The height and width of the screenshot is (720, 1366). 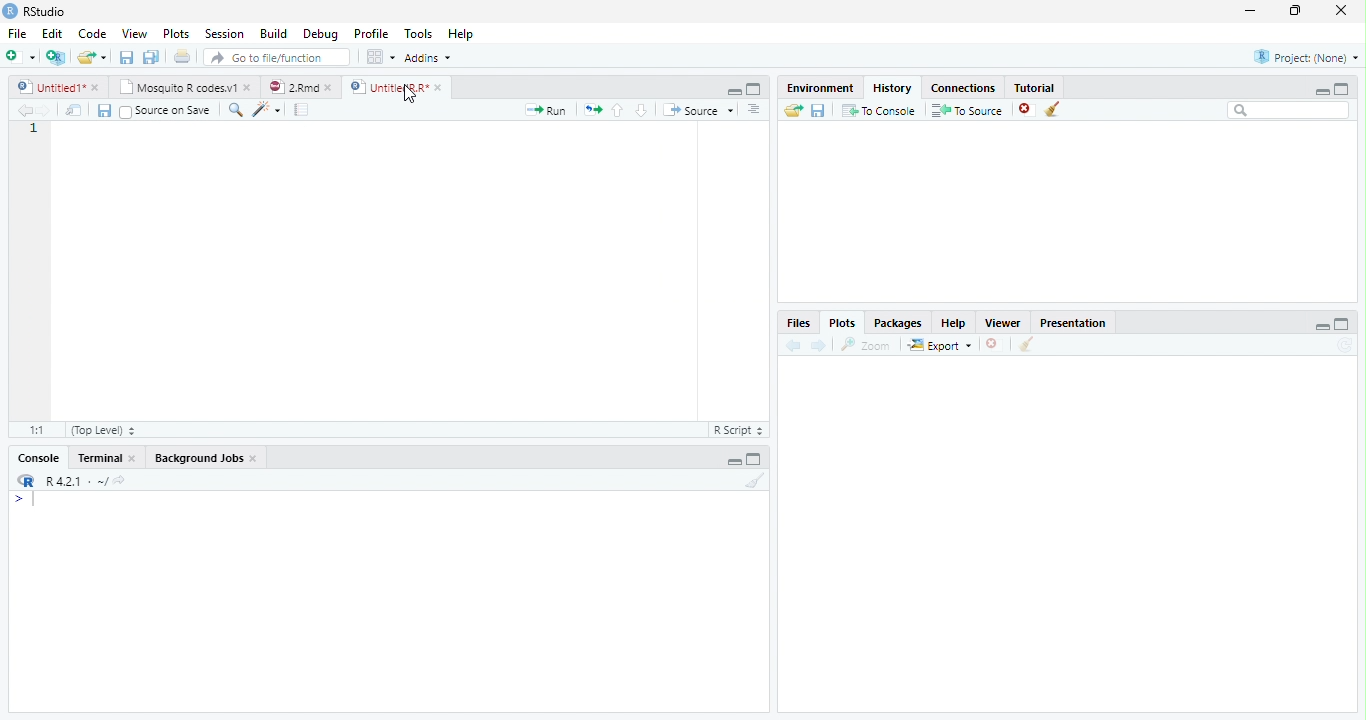 What do you see at coordinates (103, 110) in the screenshot?
I see `Save current document` at bounding box center [103, 110].